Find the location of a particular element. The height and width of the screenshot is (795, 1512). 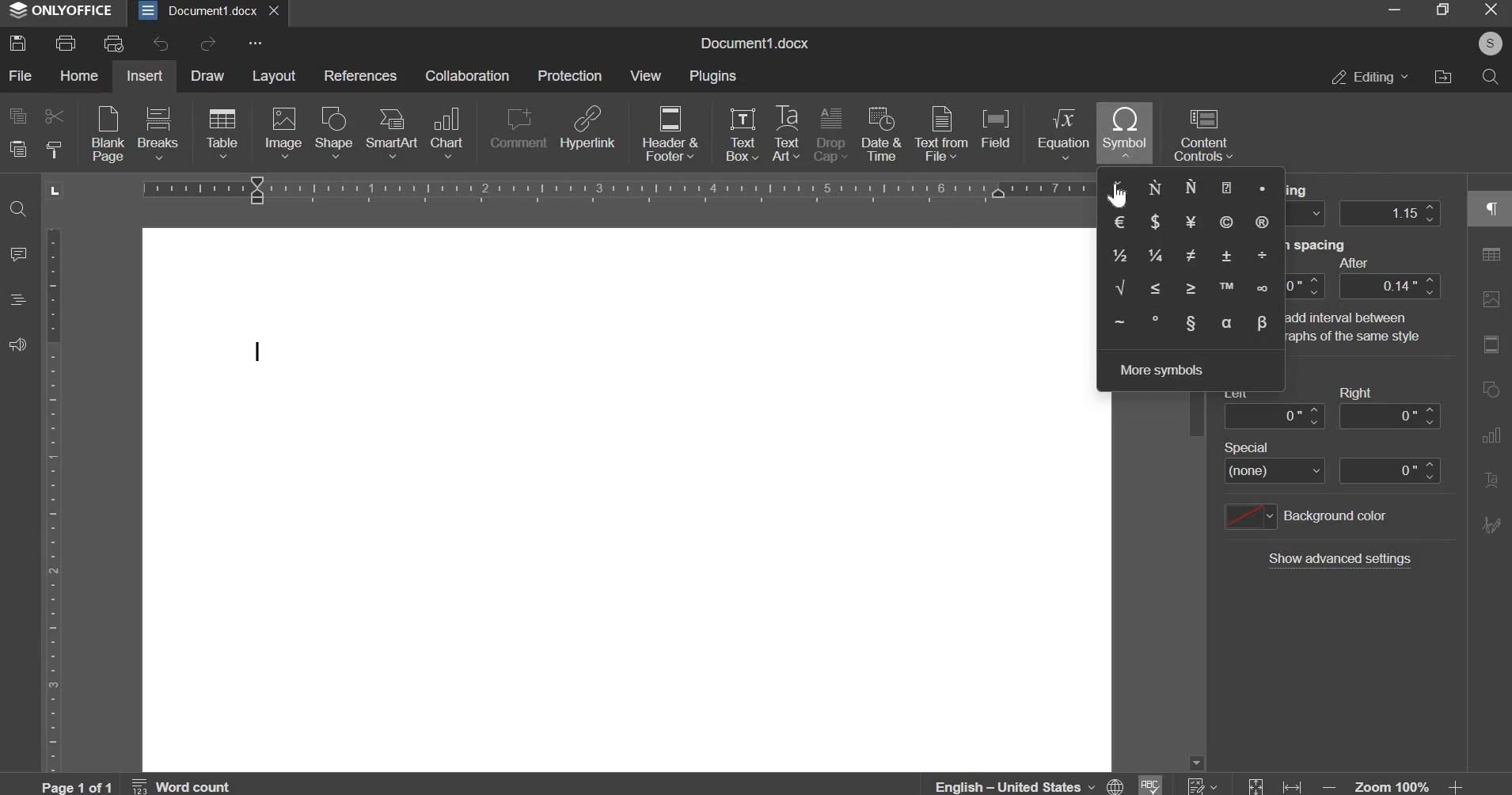

exit is located at coordinates (272, 10).